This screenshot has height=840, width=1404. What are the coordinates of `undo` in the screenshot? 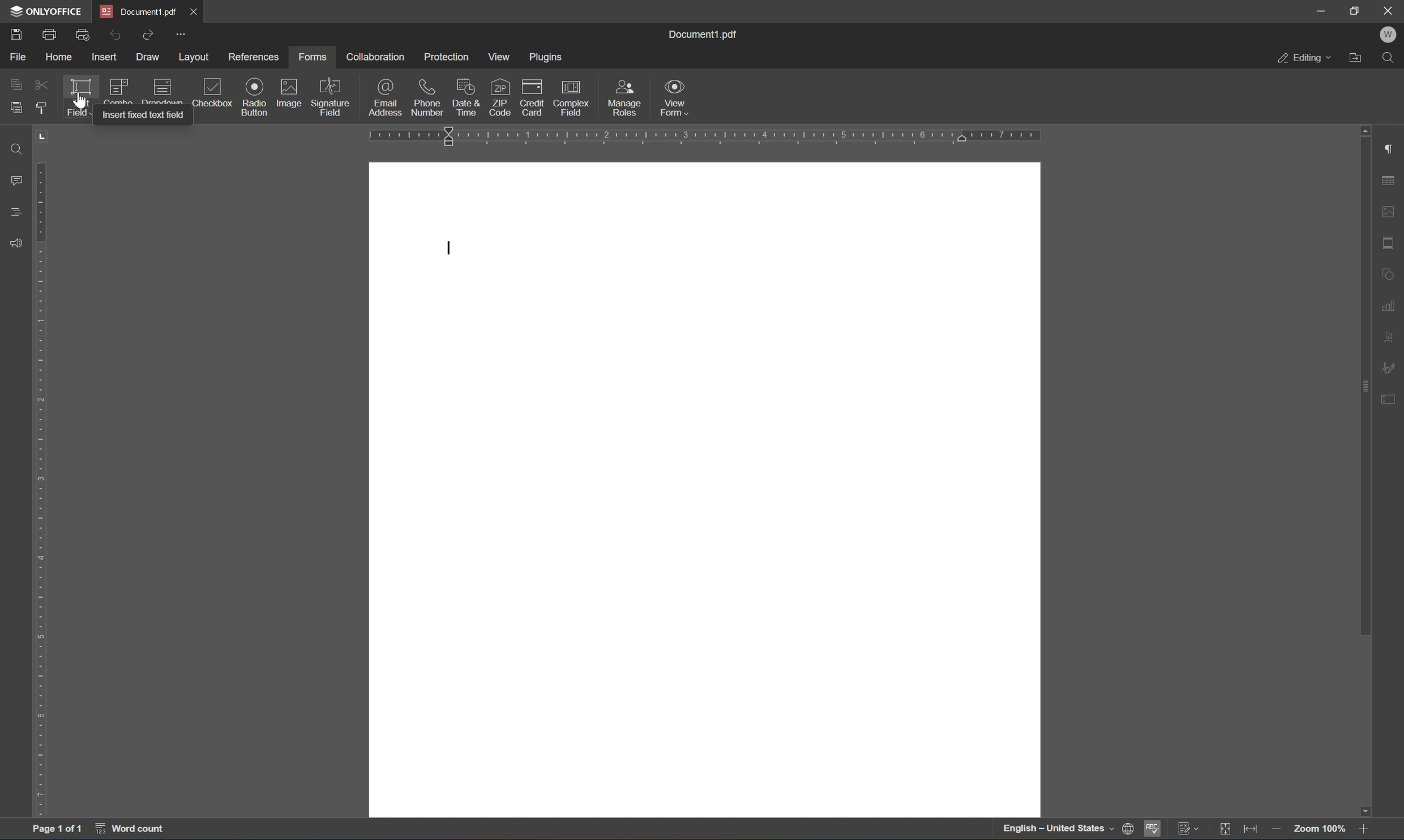 It's located at (112, 35).